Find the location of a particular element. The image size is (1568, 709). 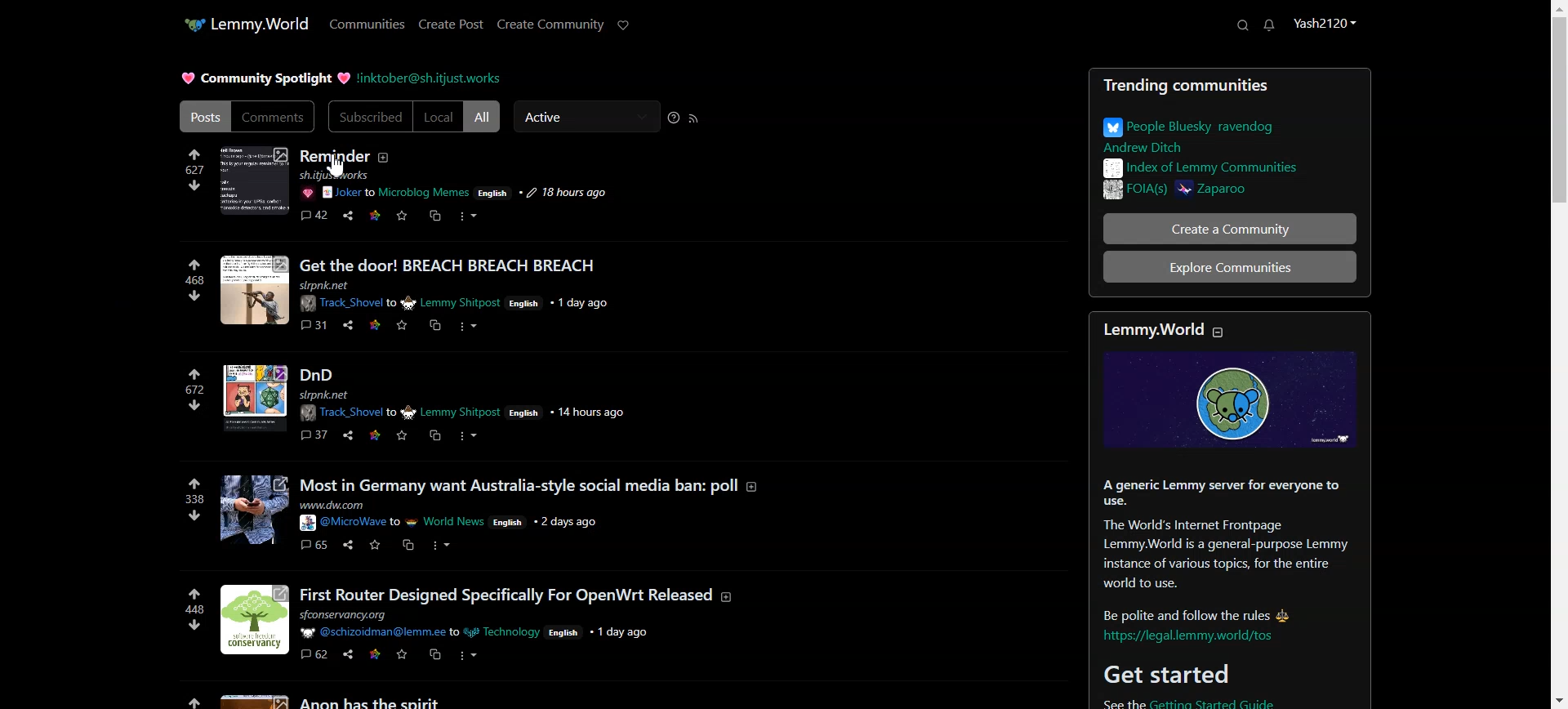

All is located at coordinates (483, 117).